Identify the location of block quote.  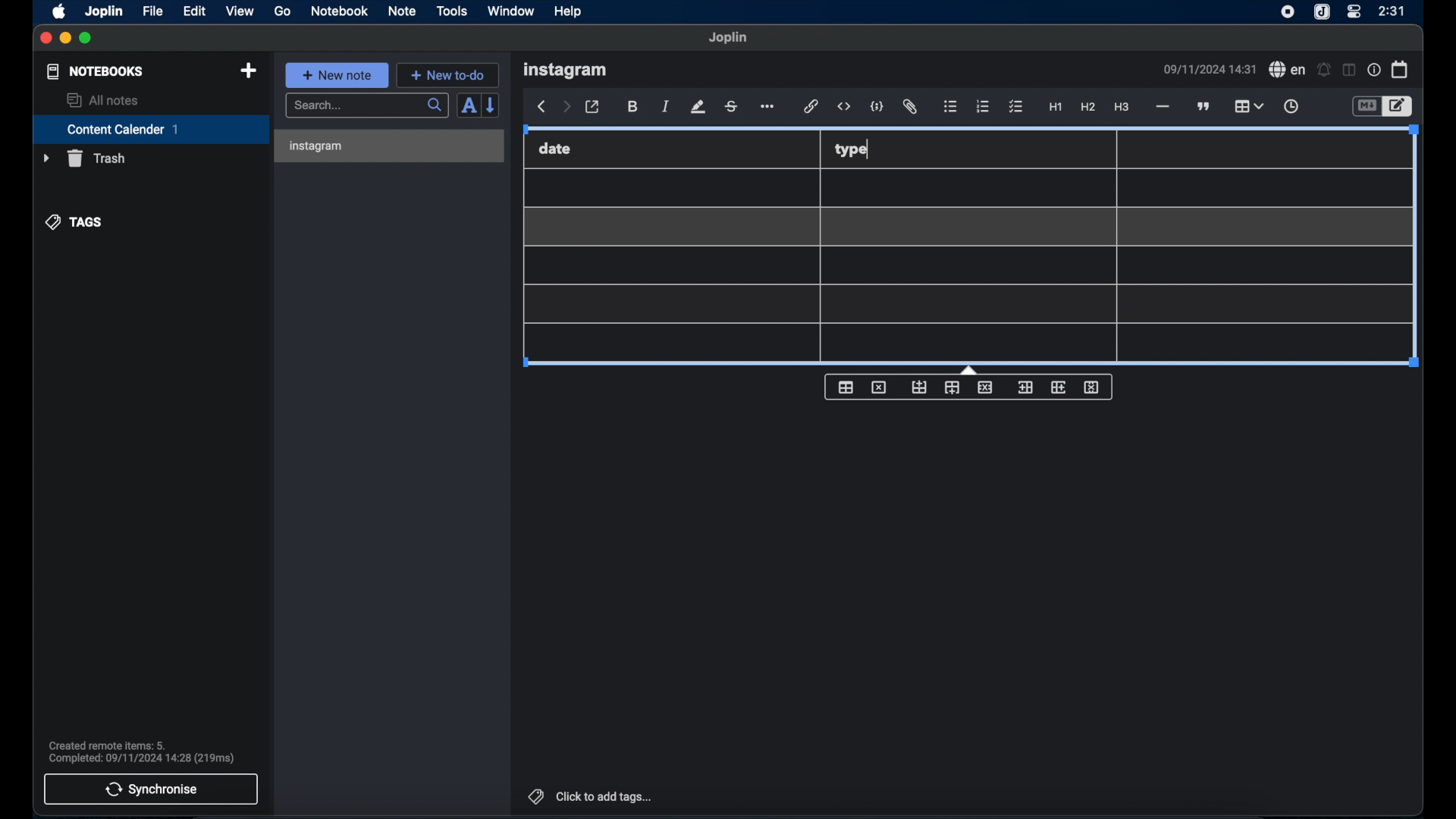
(1203, 106).